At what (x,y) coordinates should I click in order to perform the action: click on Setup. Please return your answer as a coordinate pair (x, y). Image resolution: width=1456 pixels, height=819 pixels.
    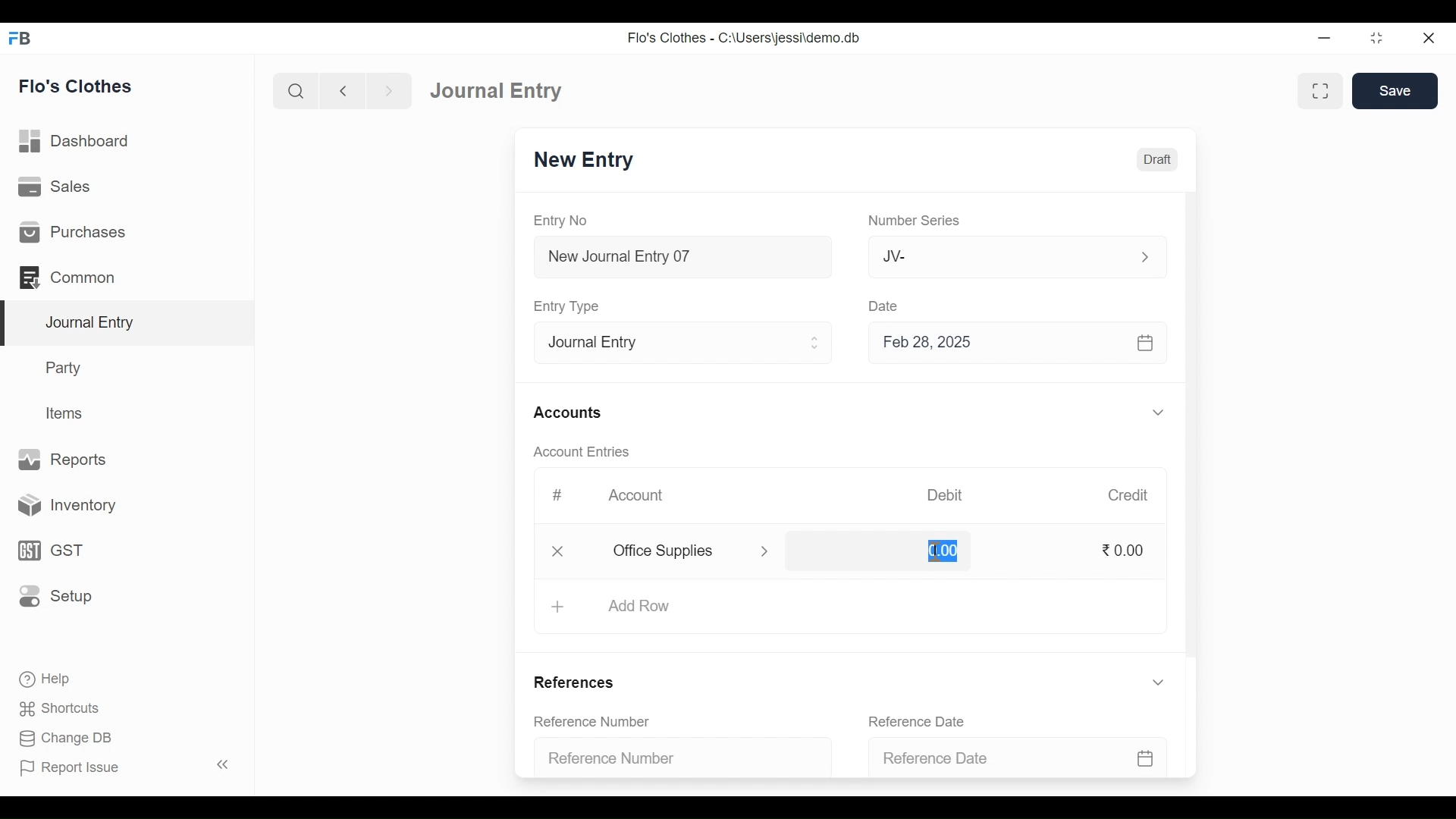
    Looking at the image, I should click on (55, 595).